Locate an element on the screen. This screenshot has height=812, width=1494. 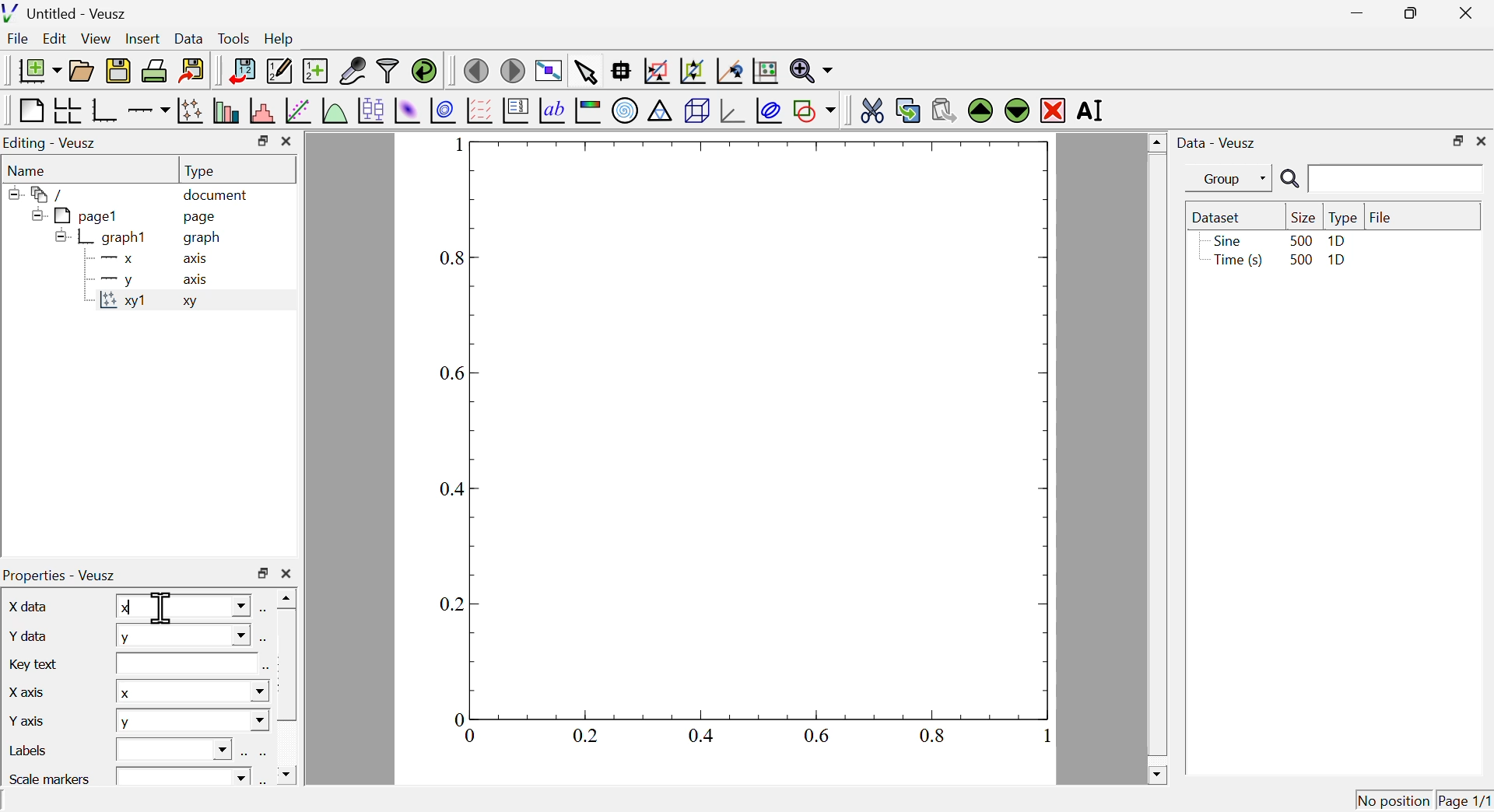
page1/1 is located at coordinates (1465, 797).